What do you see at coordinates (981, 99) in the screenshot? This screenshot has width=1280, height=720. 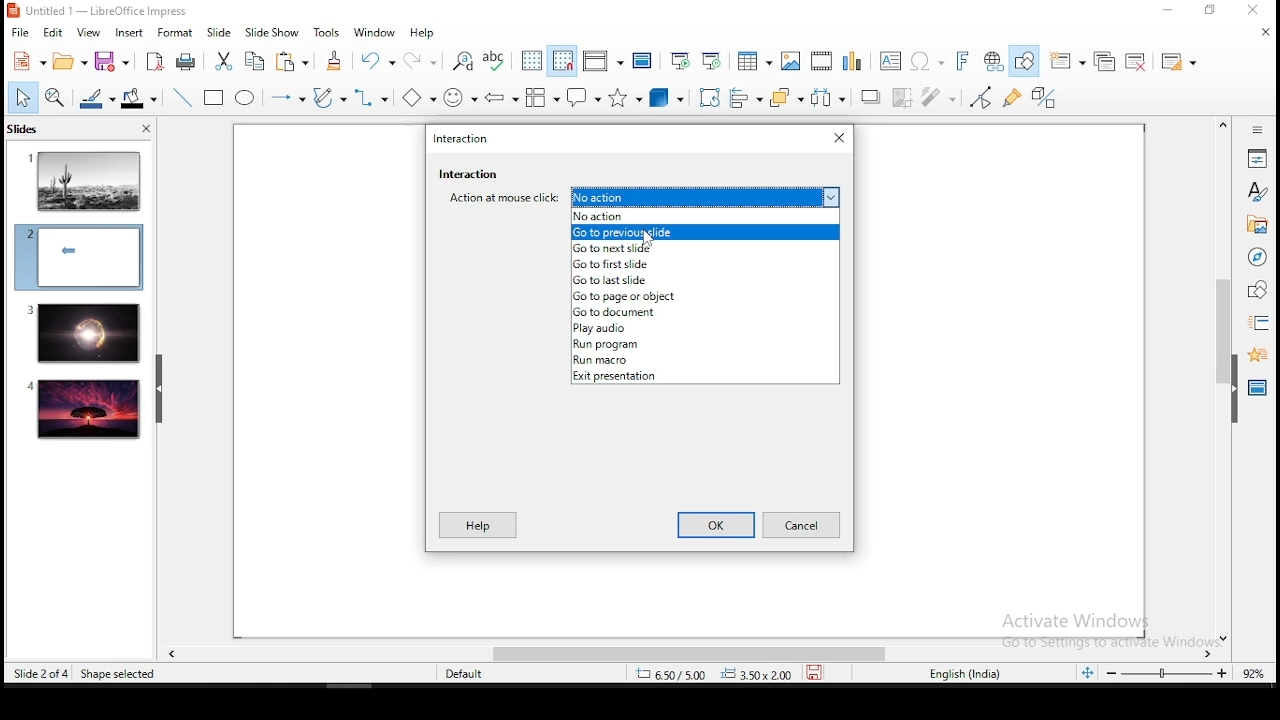 I see `toggle point edit mode` at bounding box center [981, 99].